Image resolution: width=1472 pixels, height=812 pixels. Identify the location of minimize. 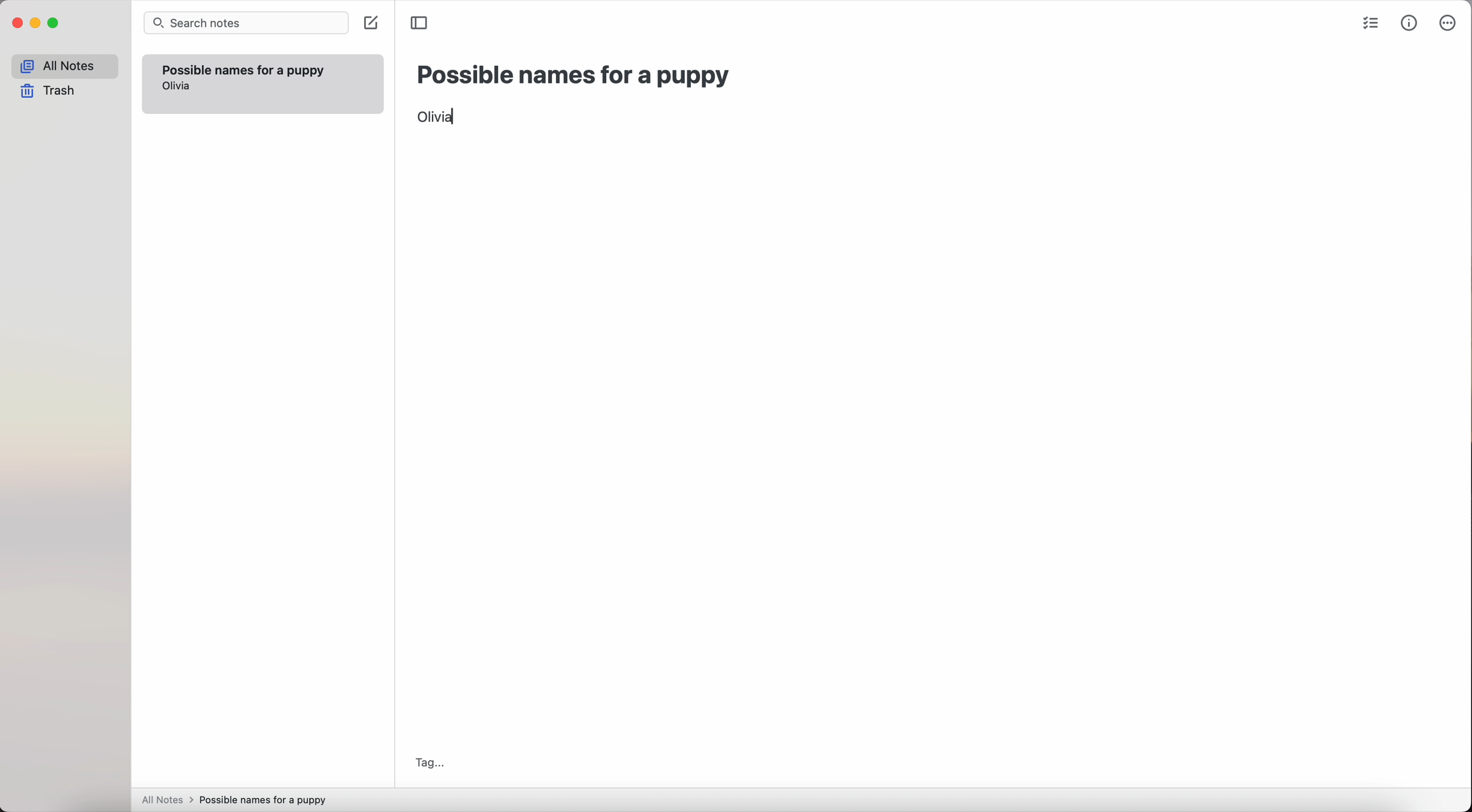
(36, 24).